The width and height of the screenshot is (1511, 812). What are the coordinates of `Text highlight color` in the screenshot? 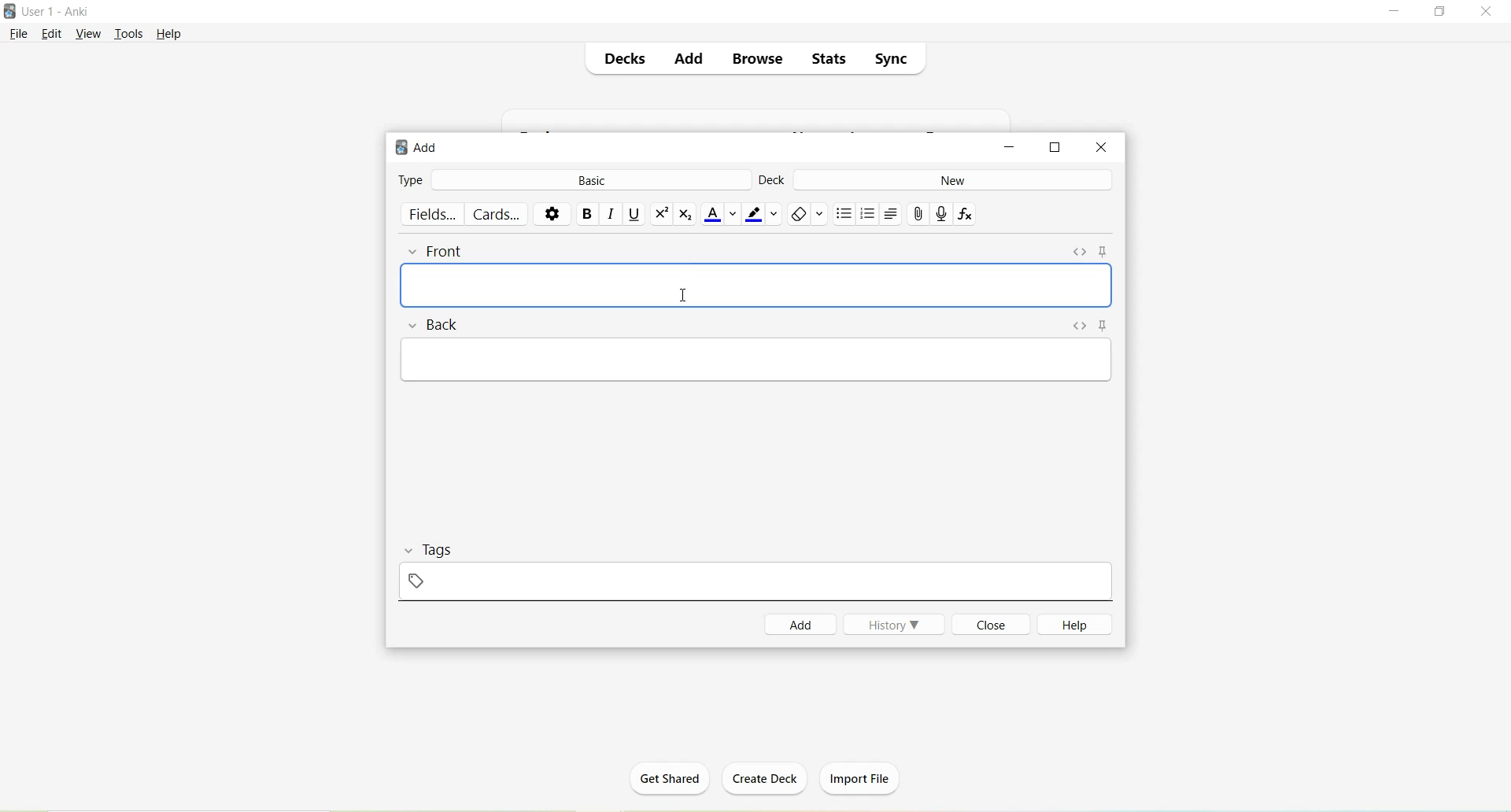 It's located at (762, 213).